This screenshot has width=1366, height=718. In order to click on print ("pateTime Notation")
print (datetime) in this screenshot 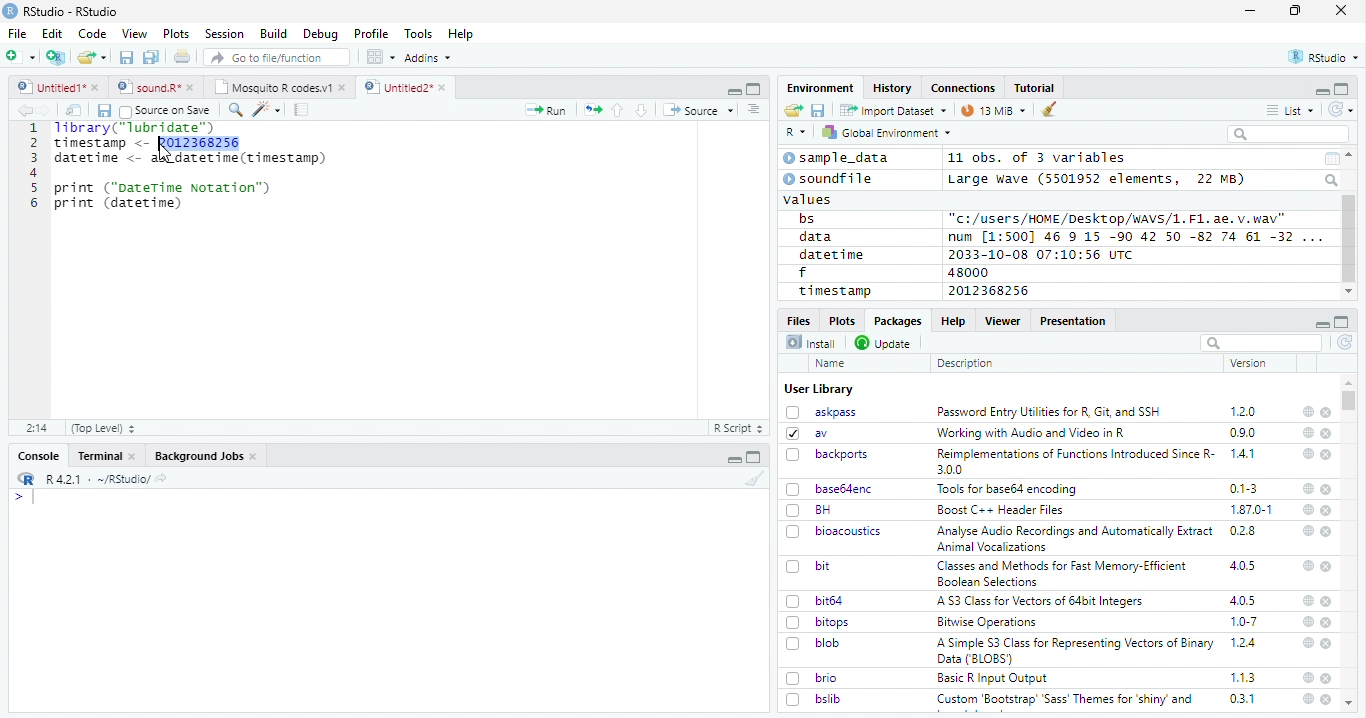, I will do `click(164, 196)`.